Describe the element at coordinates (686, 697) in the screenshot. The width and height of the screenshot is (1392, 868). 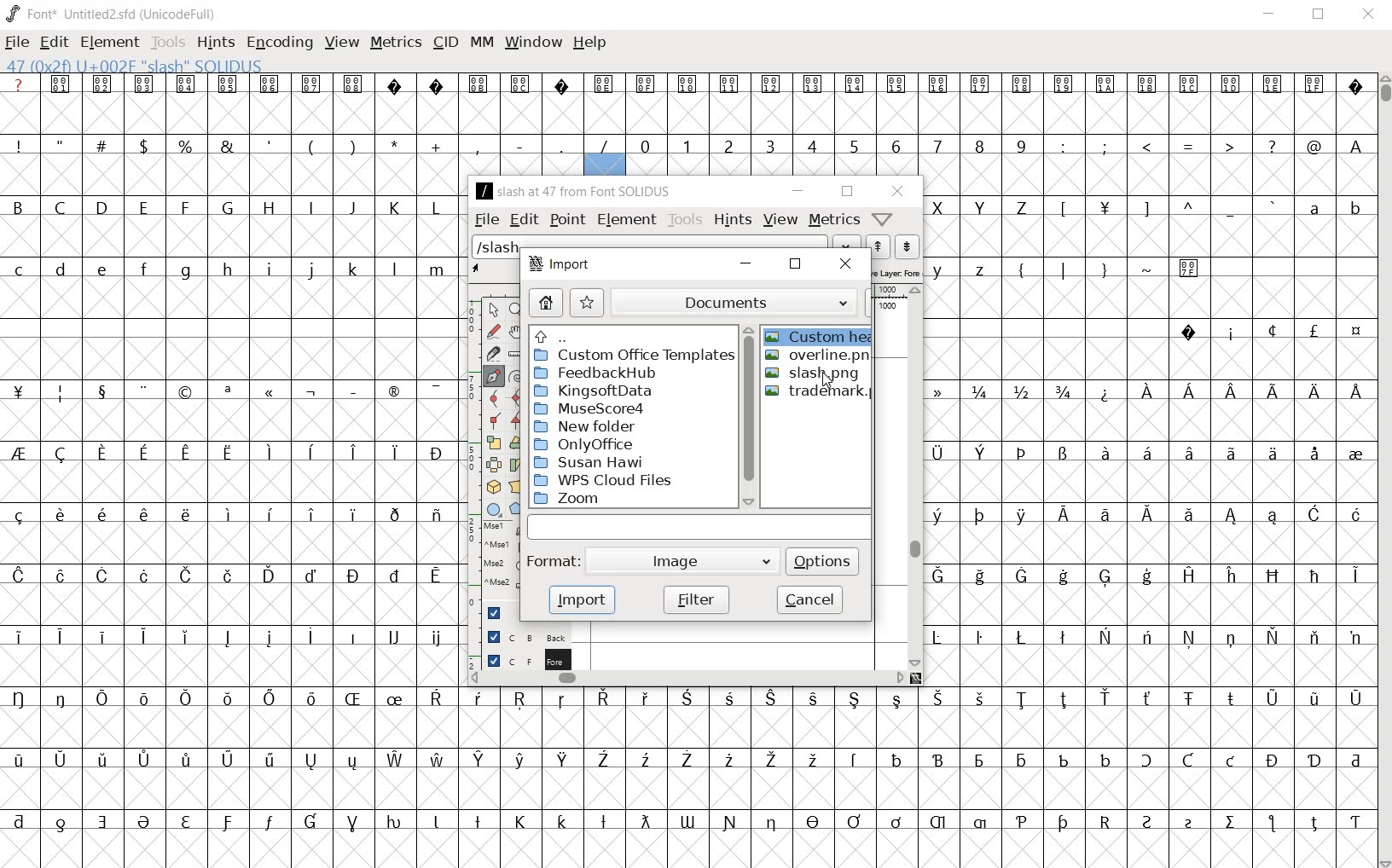
I see `special letters` at that location.